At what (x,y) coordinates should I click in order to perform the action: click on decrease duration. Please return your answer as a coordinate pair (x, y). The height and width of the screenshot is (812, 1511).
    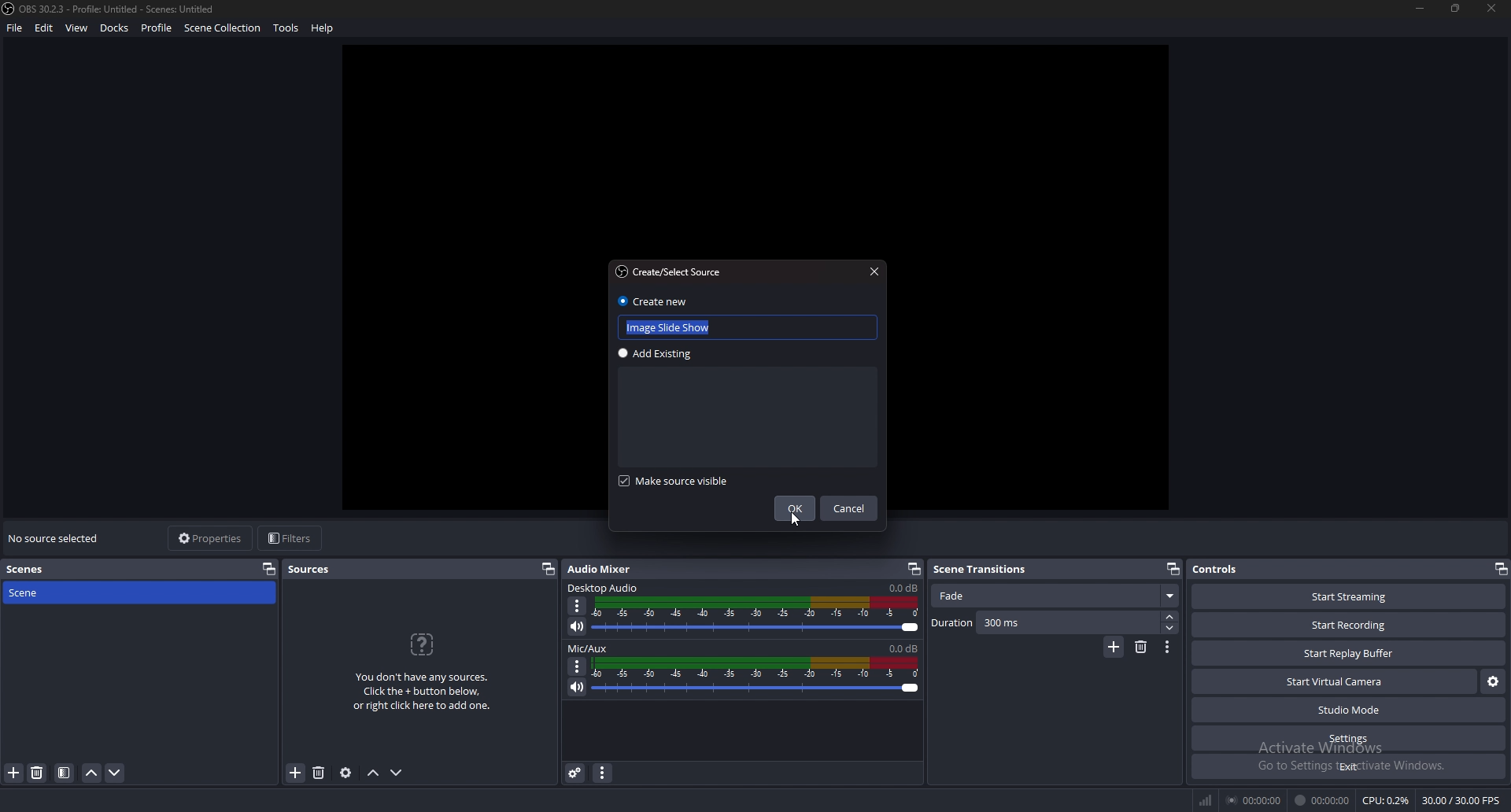
    Looking at the image, I should click on (1170, 629).